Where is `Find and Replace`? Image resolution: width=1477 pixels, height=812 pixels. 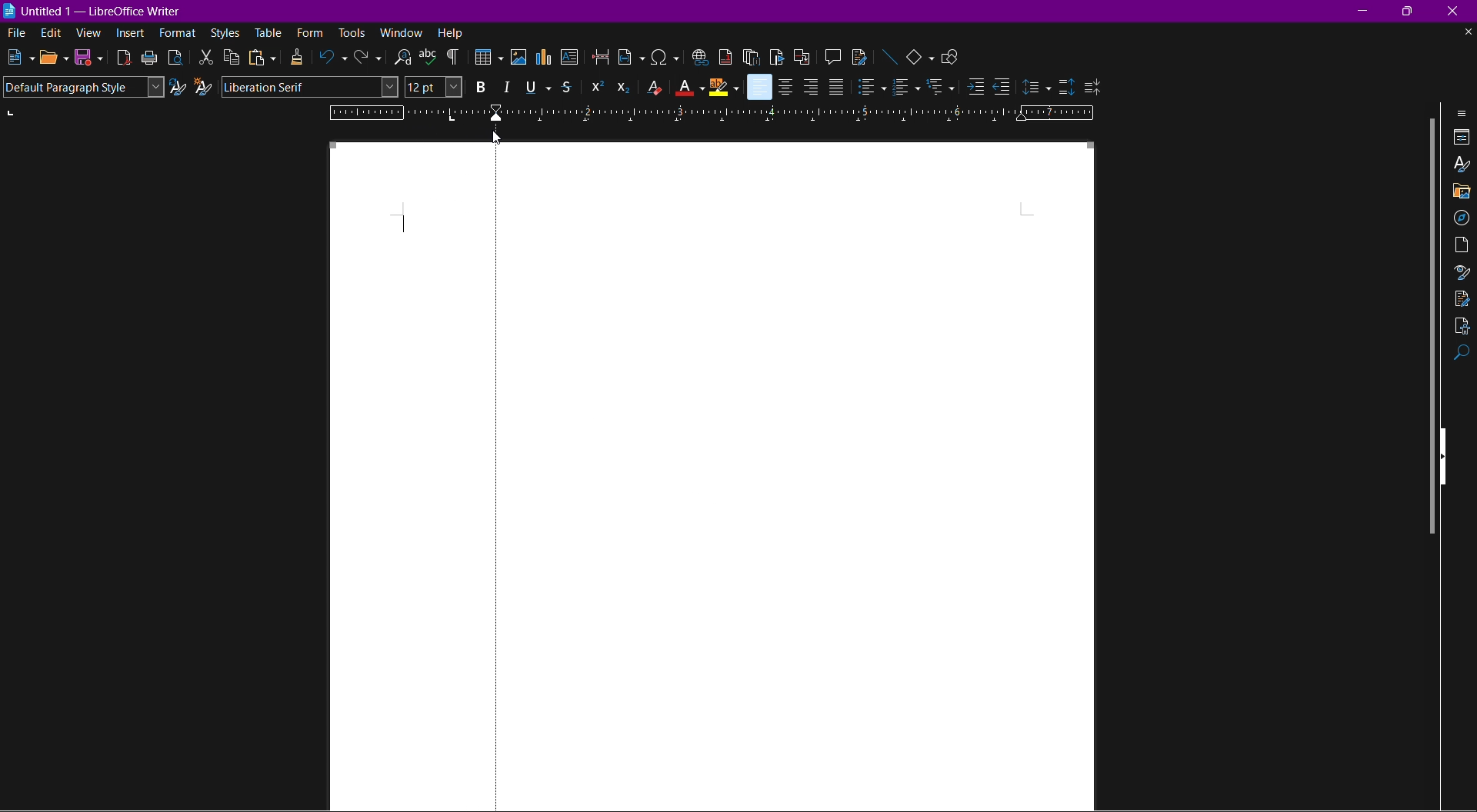 Find and Replace is located at coordinates (400, 57).